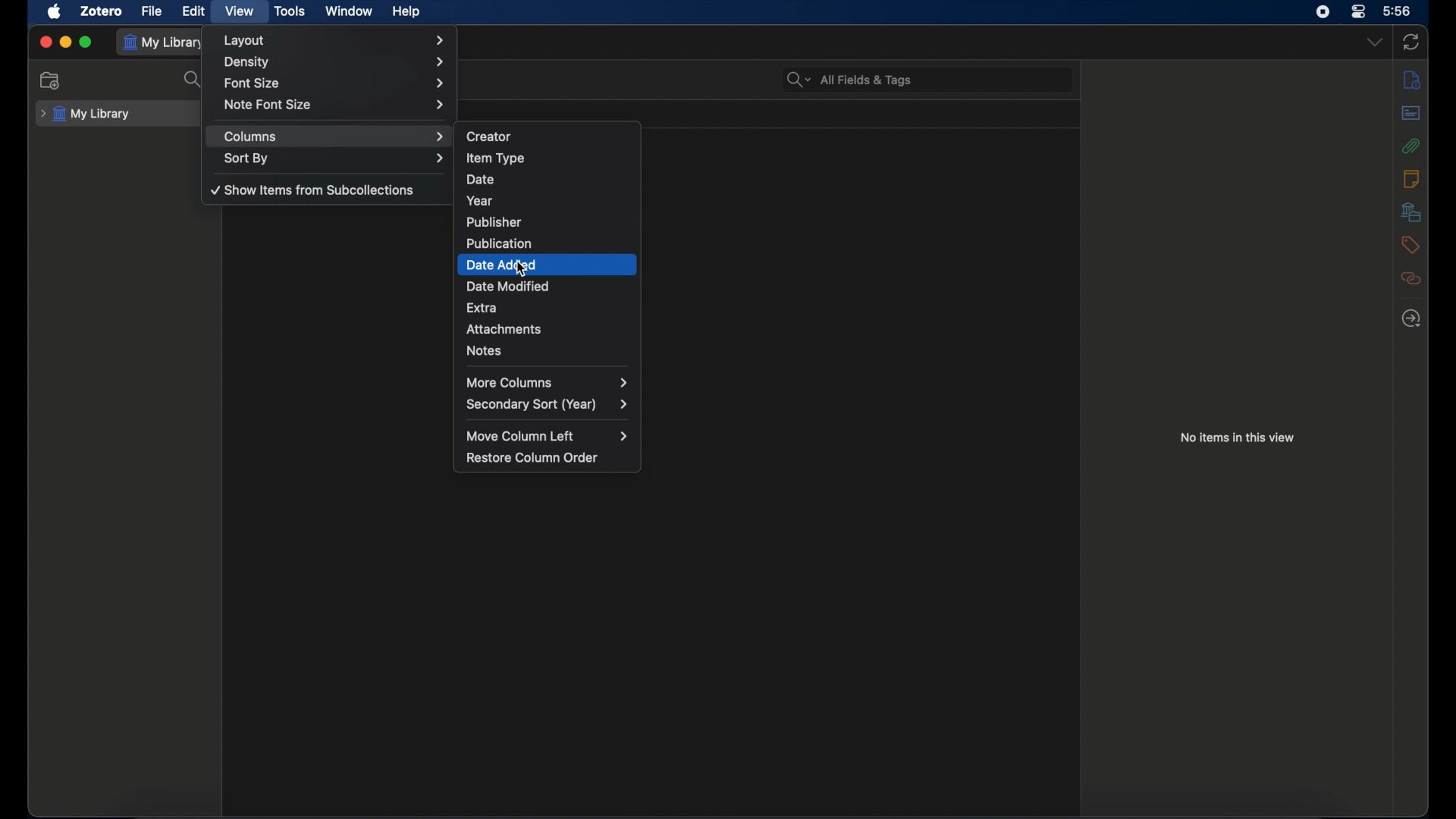  I want to click on year, so click(548, 199).